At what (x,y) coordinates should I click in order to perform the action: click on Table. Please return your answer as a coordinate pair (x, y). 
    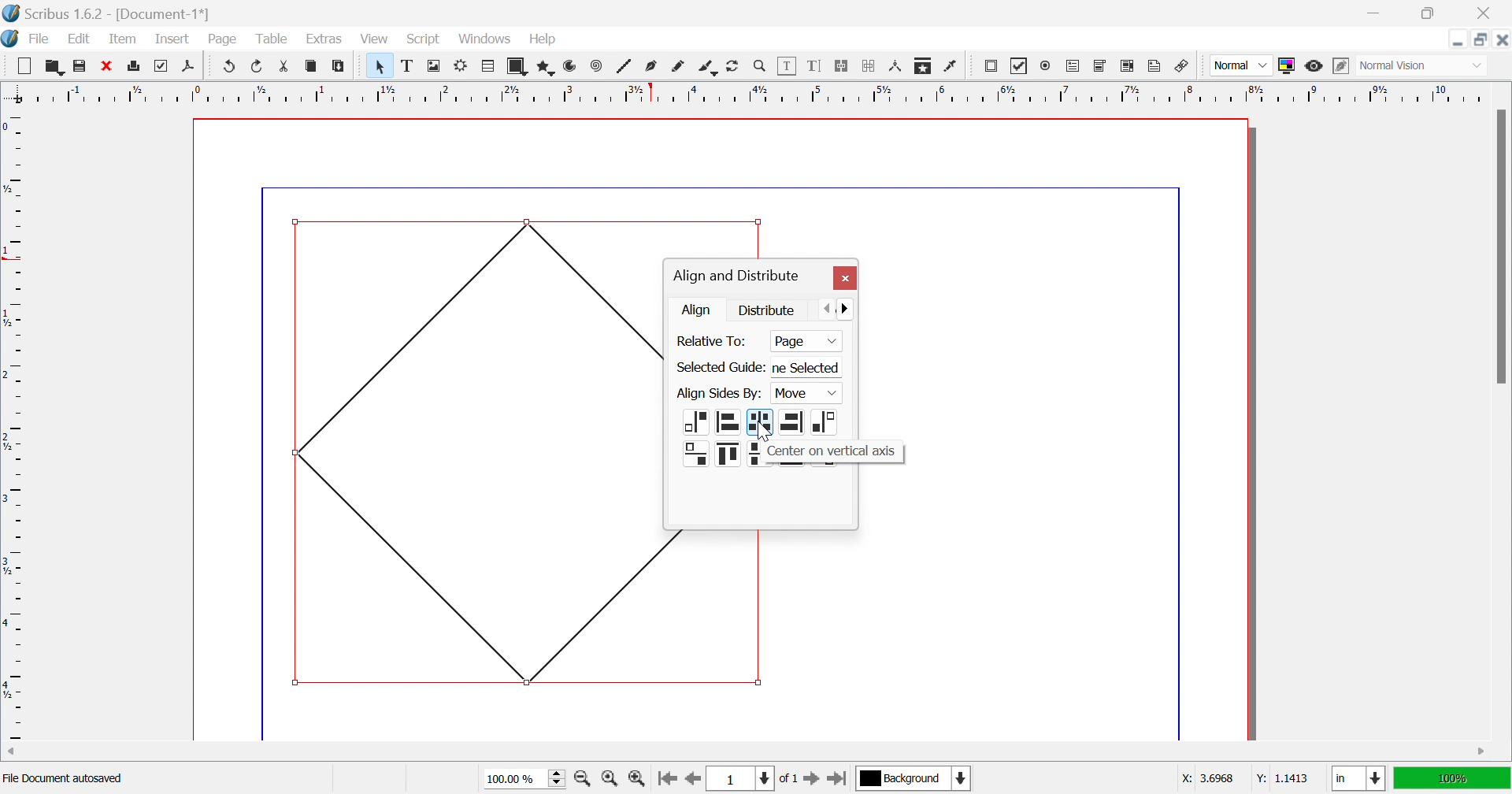
    Looking at the image, I should click on (489, 67).